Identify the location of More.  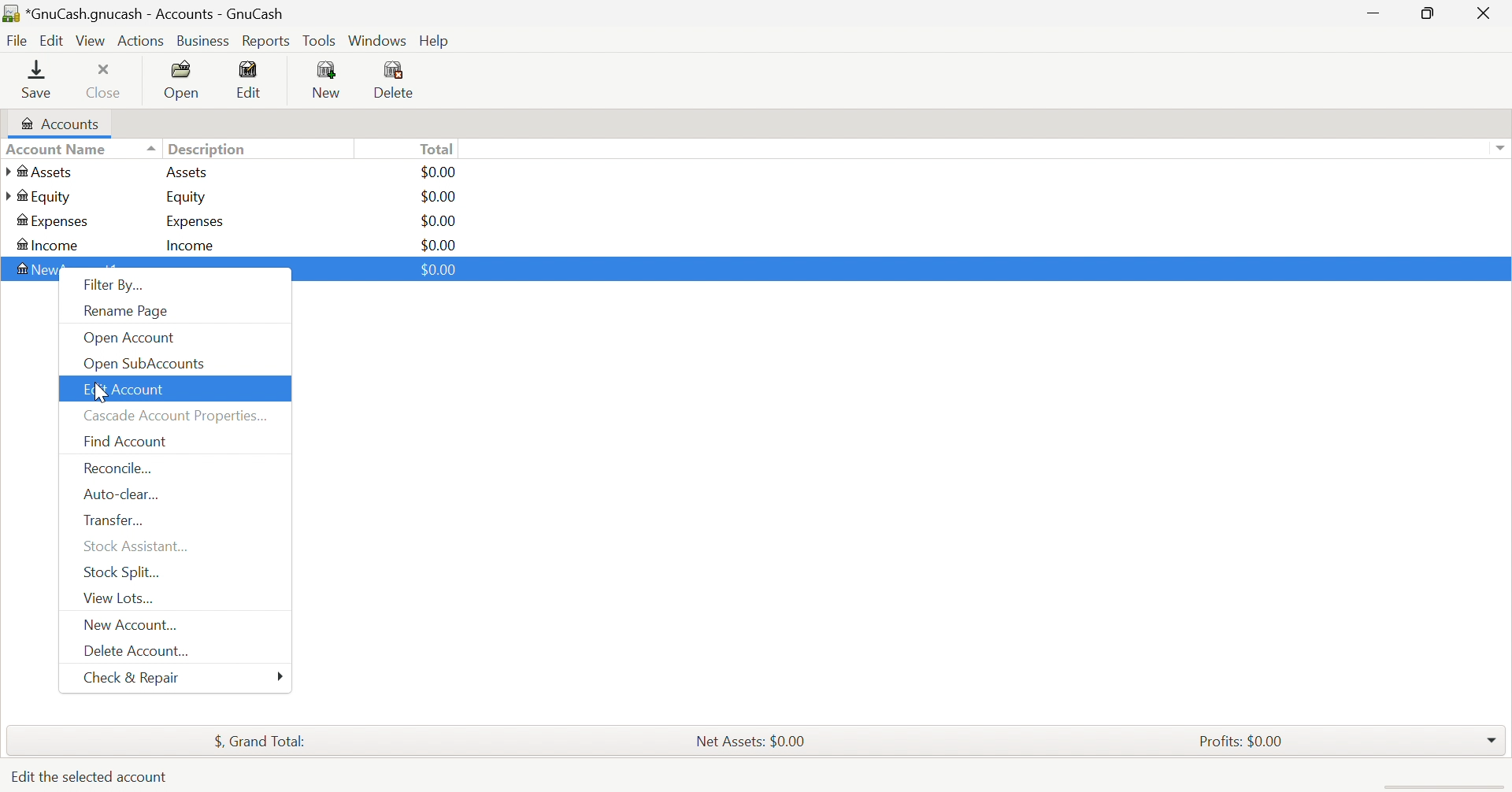
(279, 675).